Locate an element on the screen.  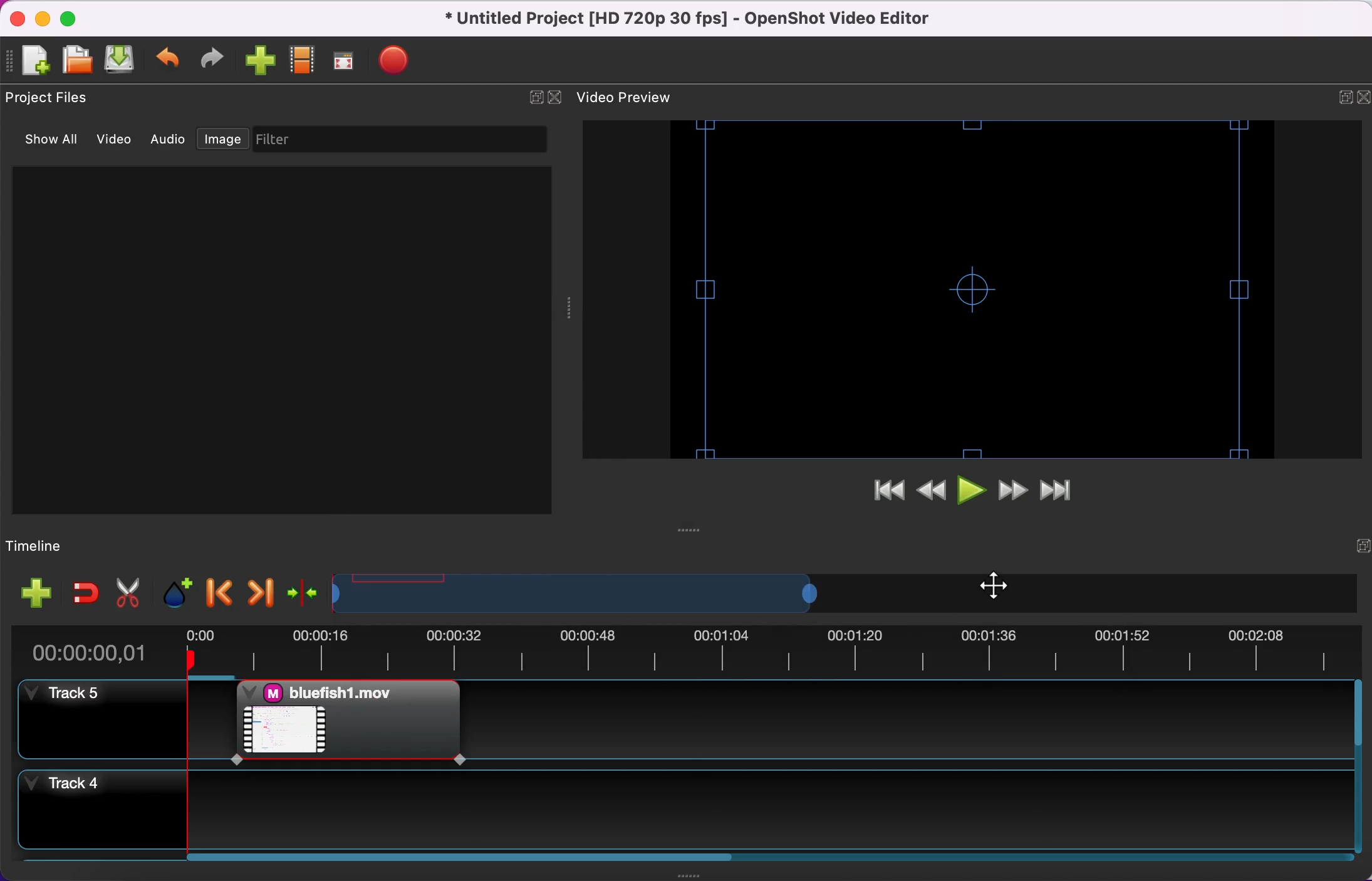
video preview is located at coordinates (938, 290).